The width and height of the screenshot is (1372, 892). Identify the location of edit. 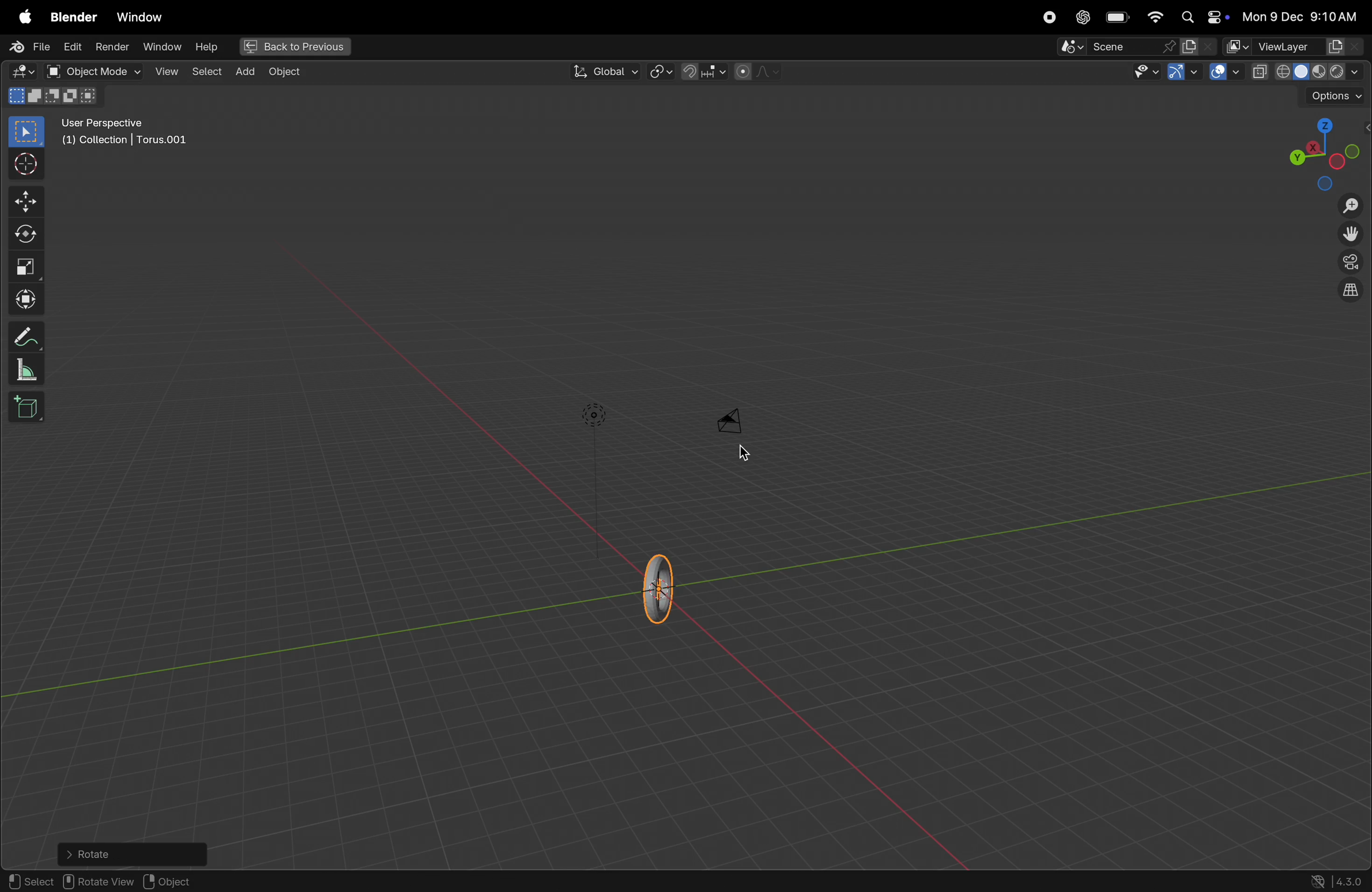
(70, 46).